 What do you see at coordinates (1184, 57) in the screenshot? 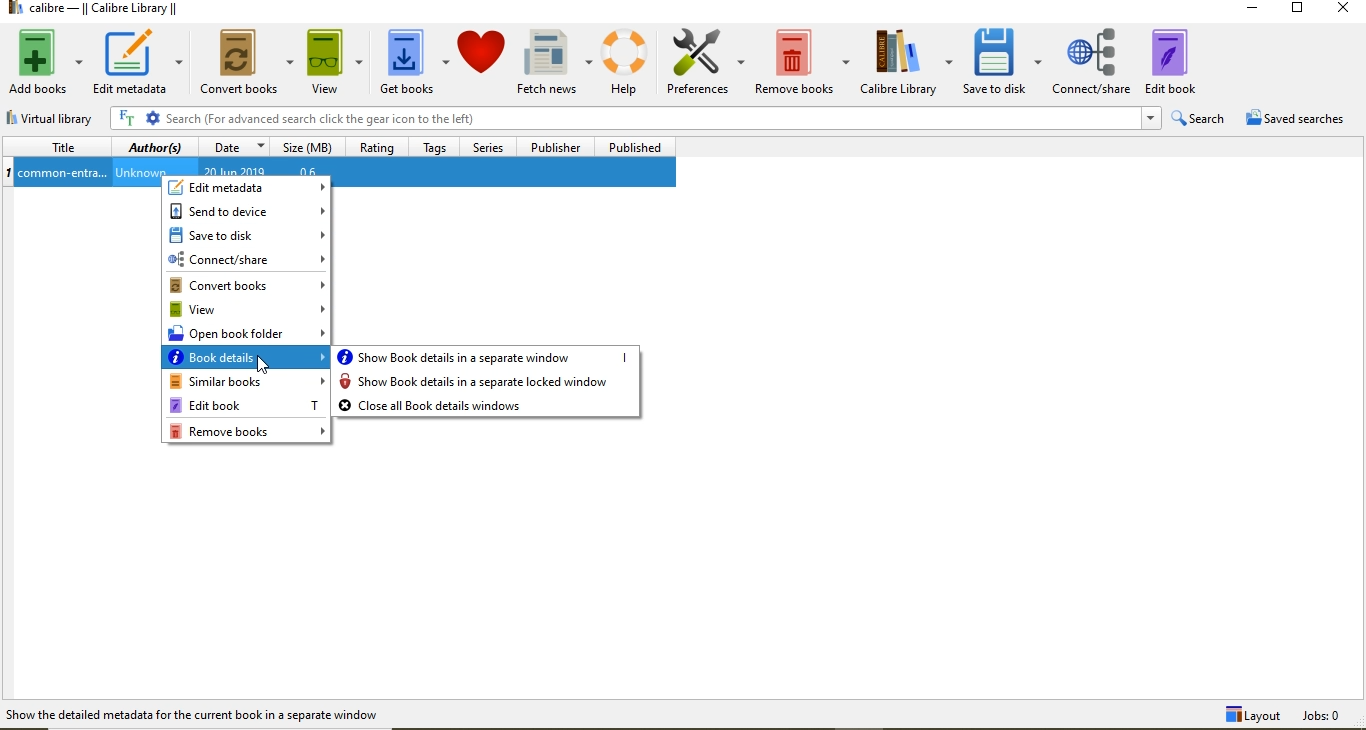
I see `edit book` at bounding box center [1184, 57].